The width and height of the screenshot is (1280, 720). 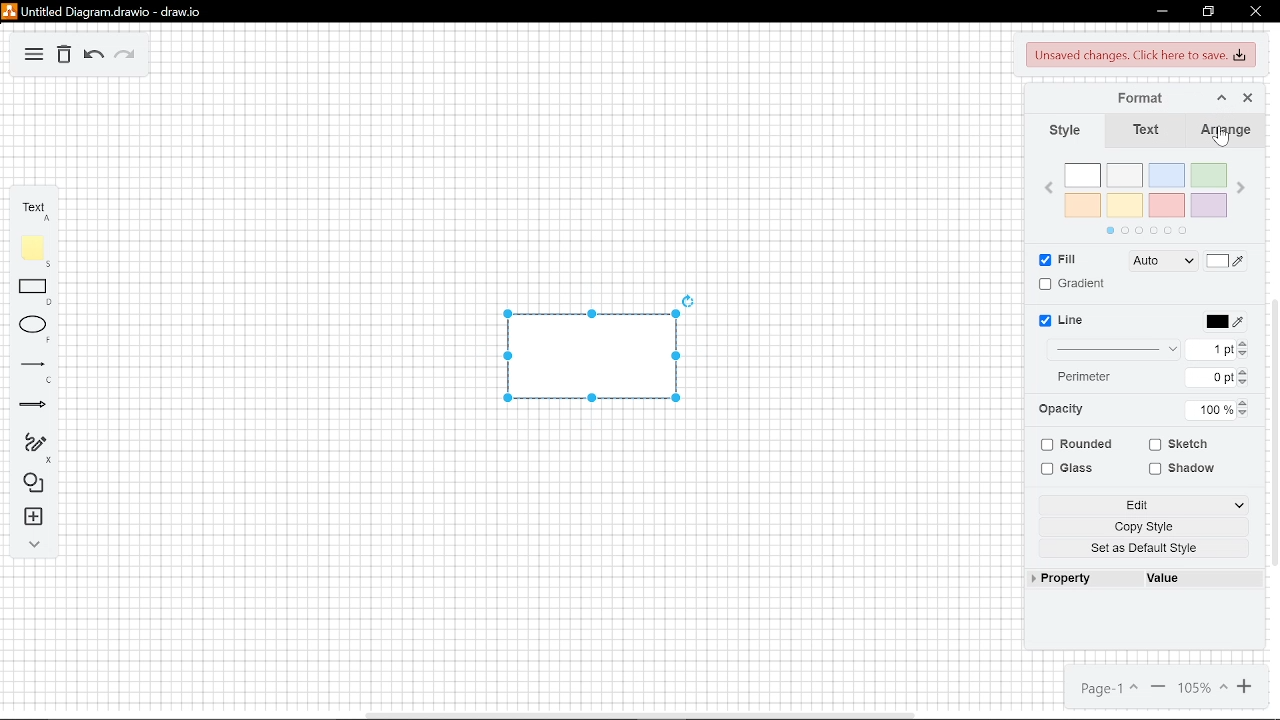 What do you see at coordinates (1209, 380) in the screenshot?
I see `current perimeter` at bounding box center [1209, 380].